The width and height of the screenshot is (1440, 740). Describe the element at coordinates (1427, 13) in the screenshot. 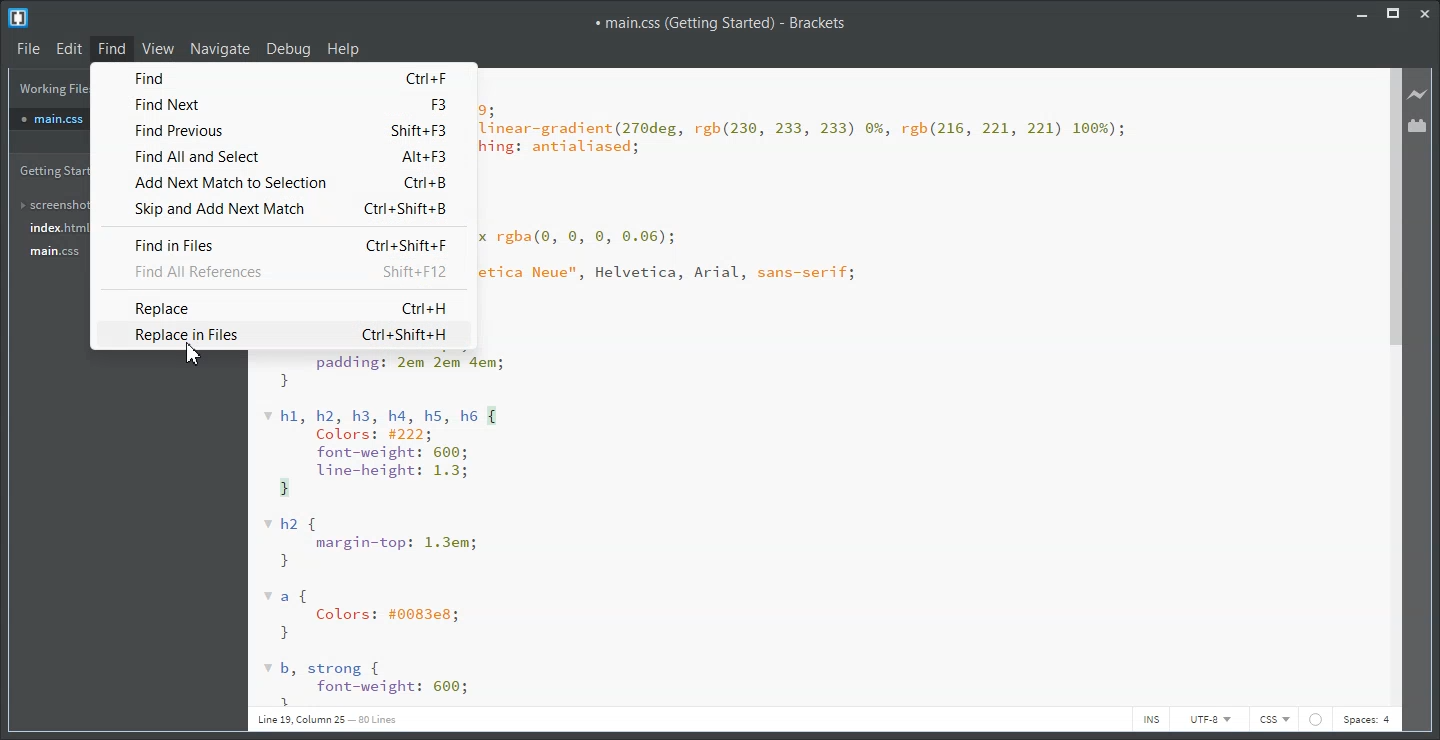

I see `Close` at that location.